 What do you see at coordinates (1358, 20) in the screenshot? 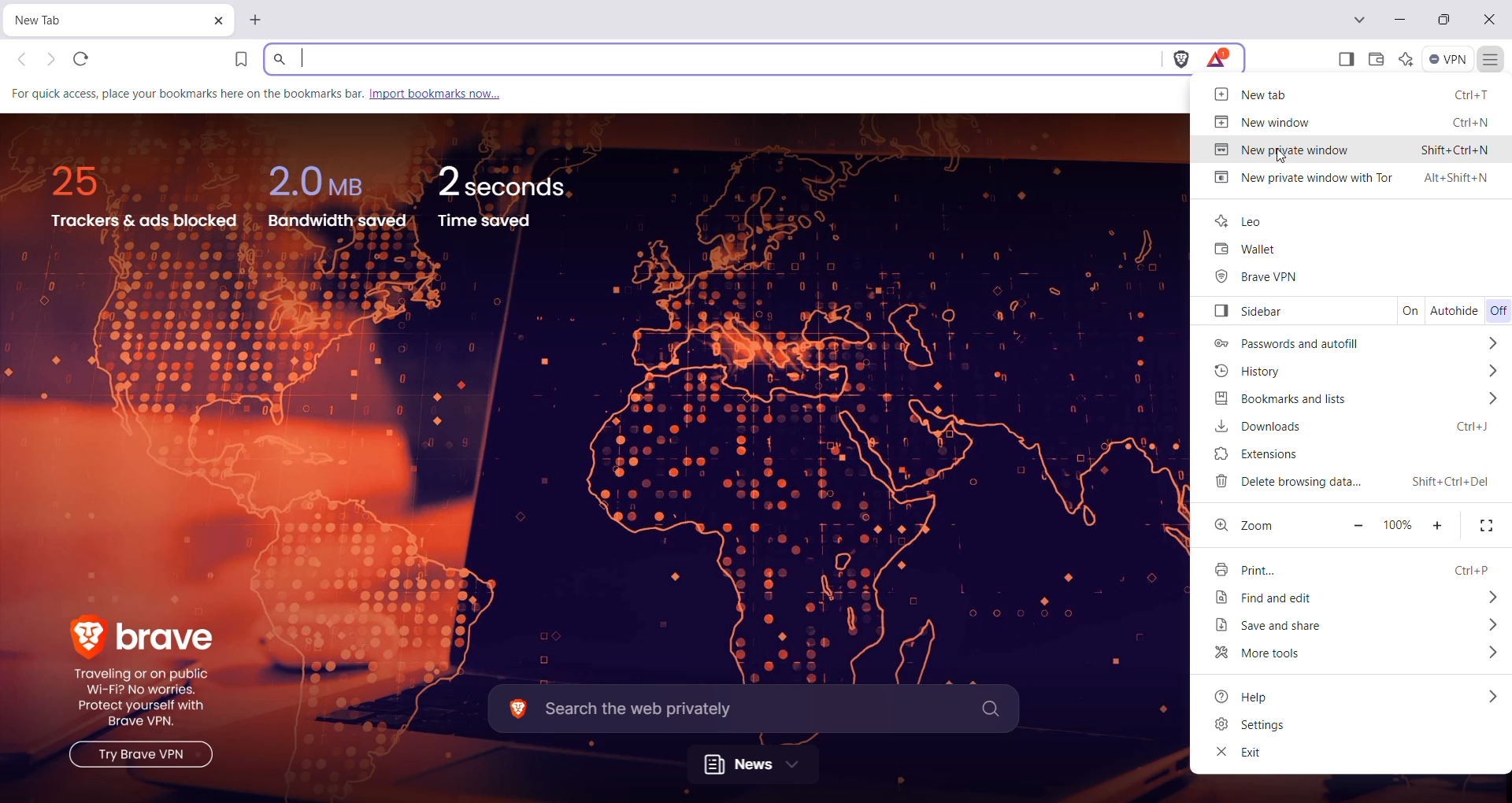
I see `Search Tabs` at bounding box center [1358, 20].